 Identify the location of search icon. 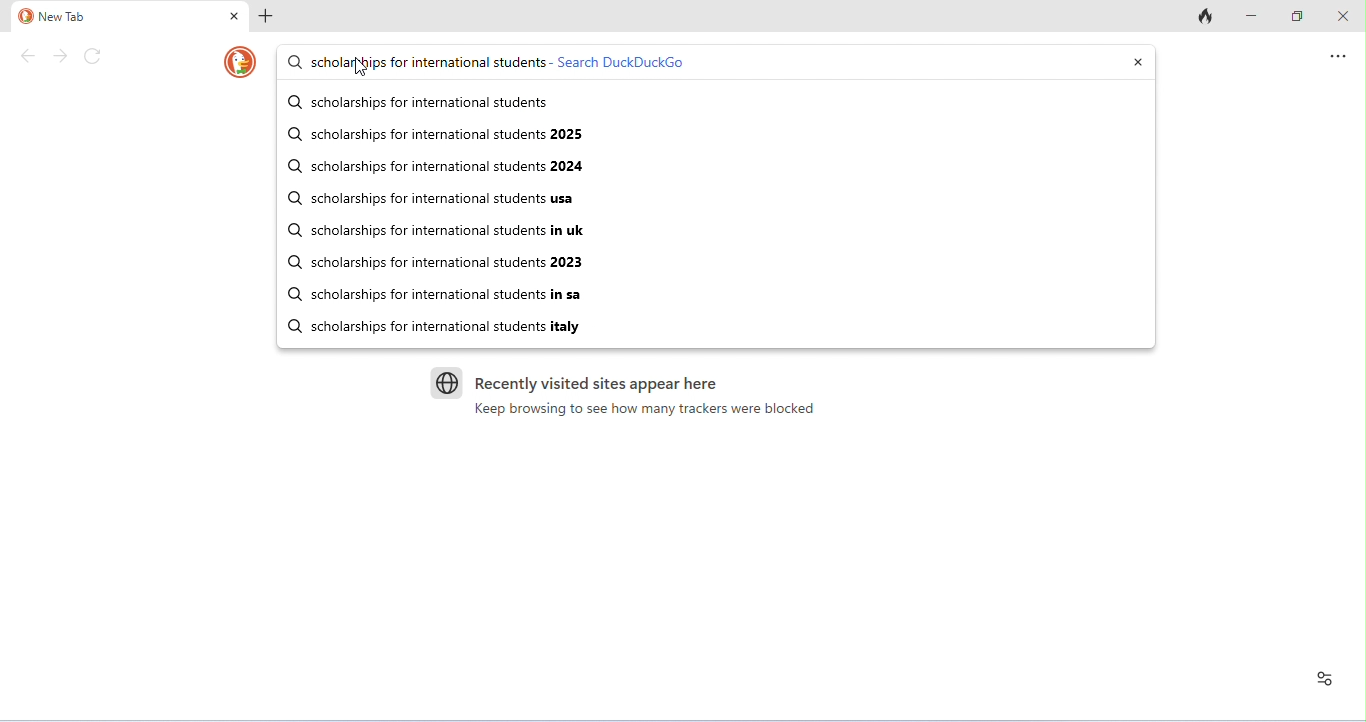
(292, 102).